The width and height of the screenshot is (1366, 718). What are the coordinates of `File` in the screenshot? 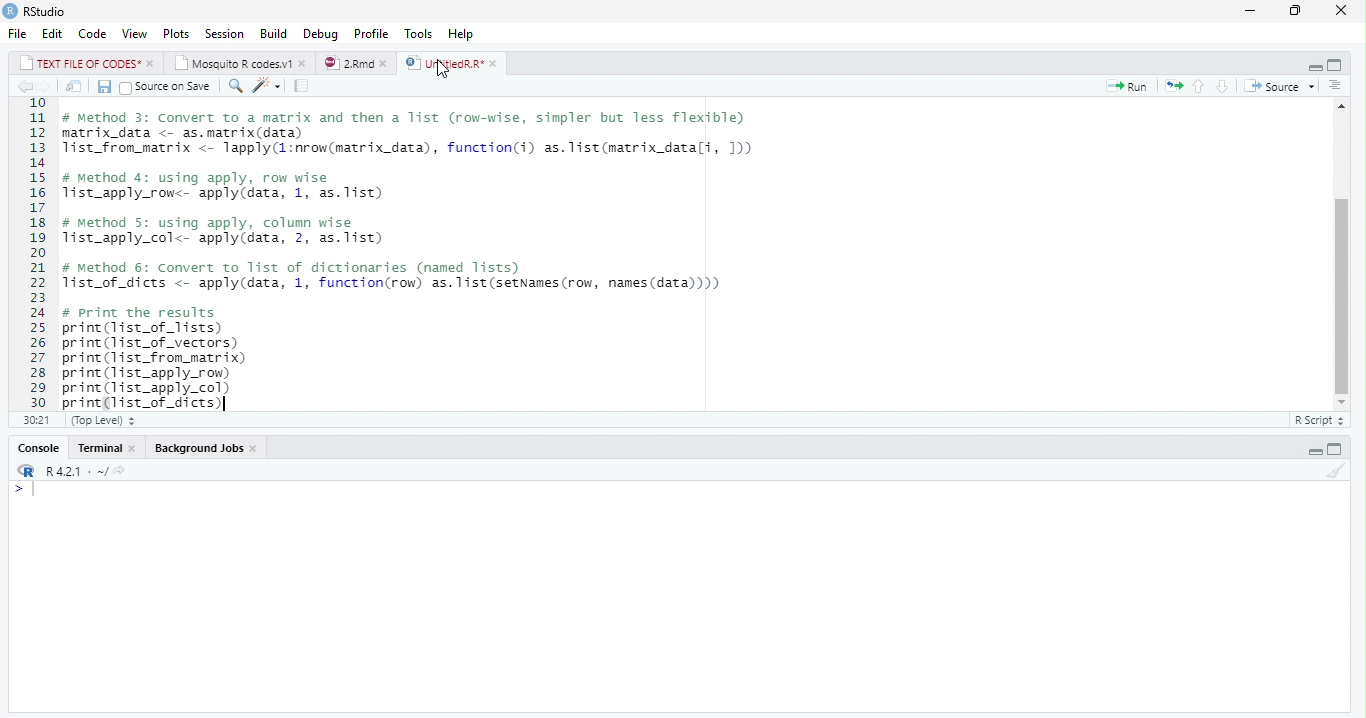 It's located at (20, 33).